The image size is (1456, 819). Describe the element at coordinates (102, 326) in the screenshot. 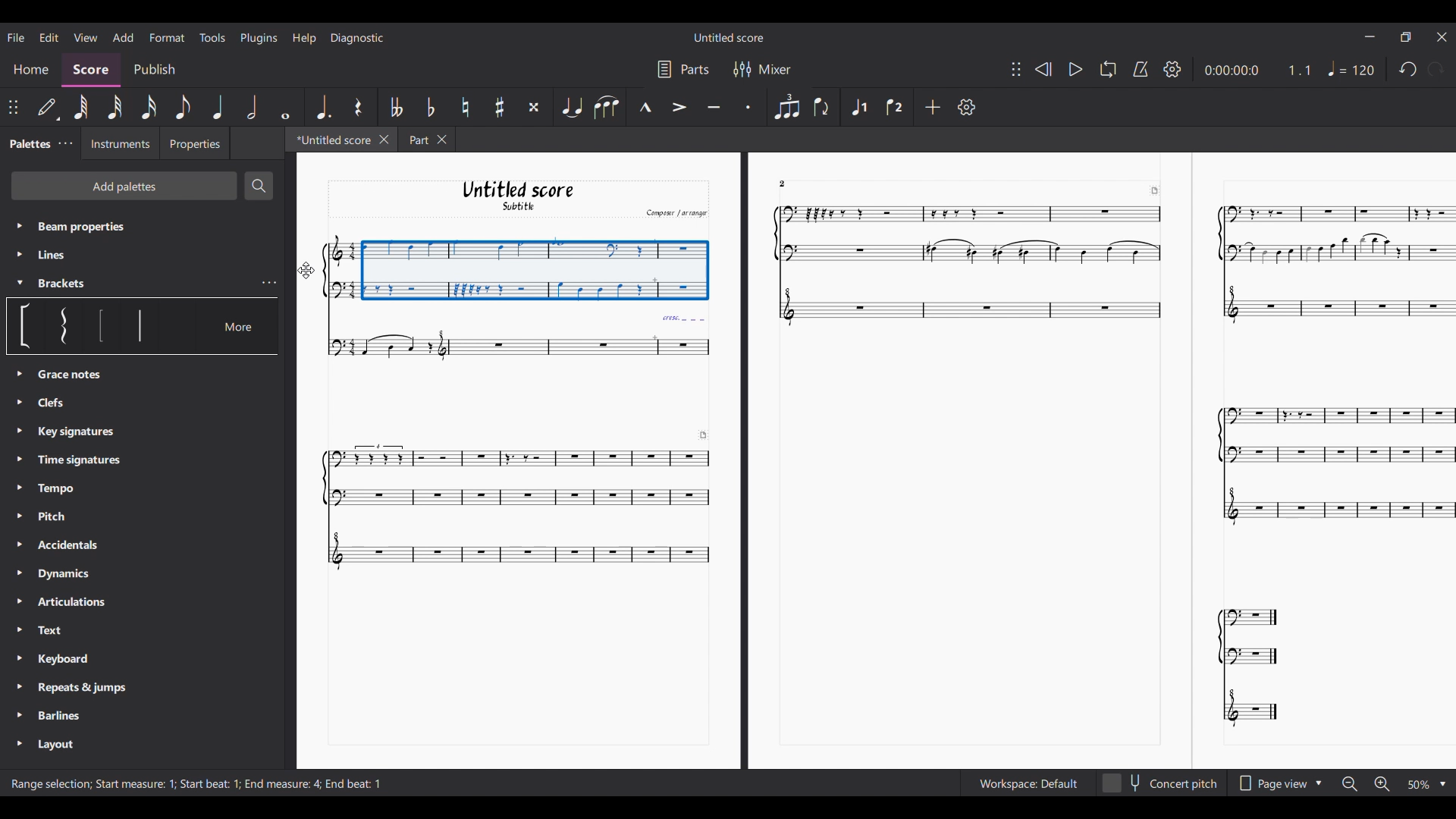

I see `Option under bracket section` at that location.